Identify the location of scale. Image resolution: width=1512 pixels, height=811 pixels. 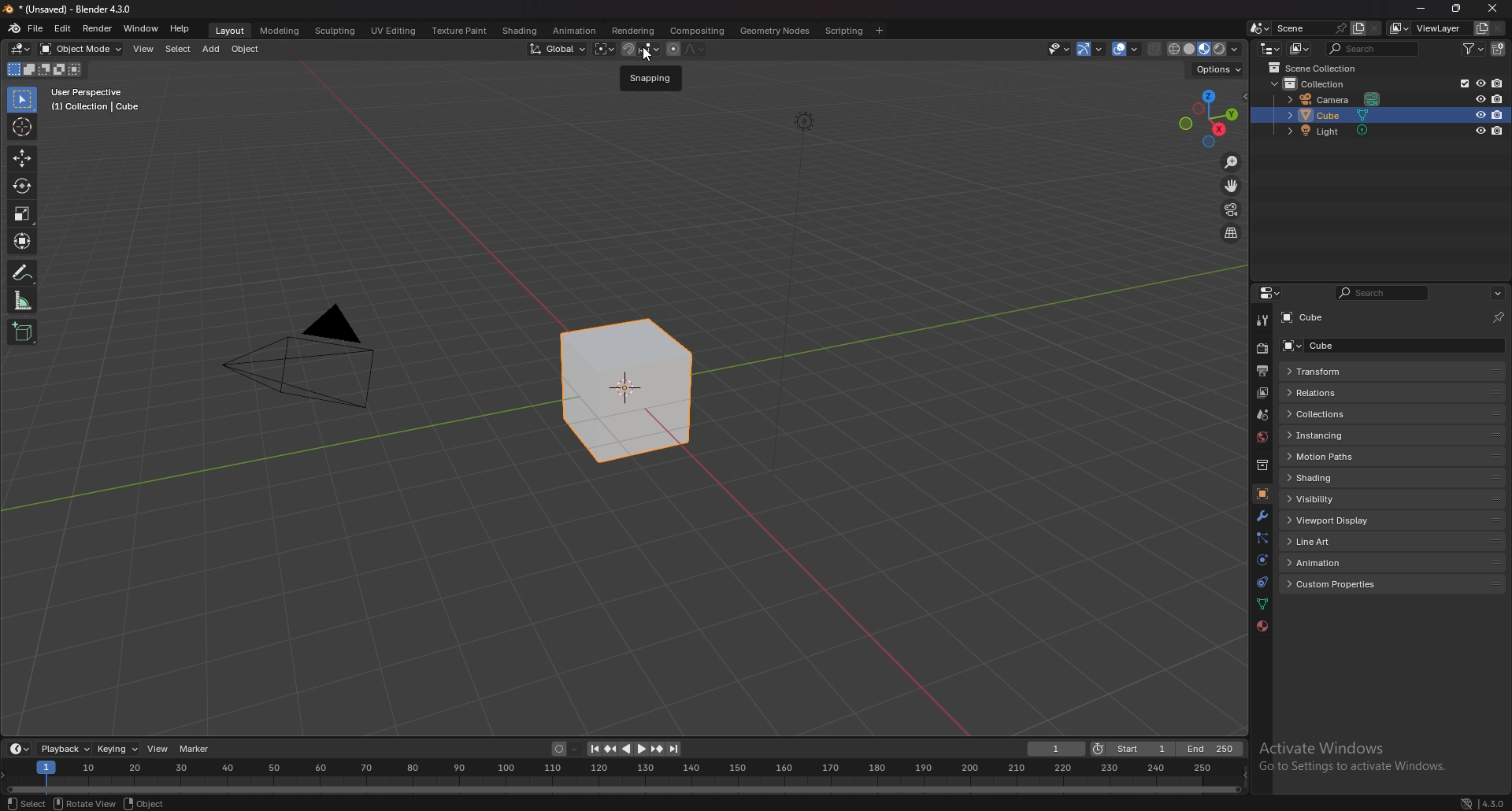
(23, 213).